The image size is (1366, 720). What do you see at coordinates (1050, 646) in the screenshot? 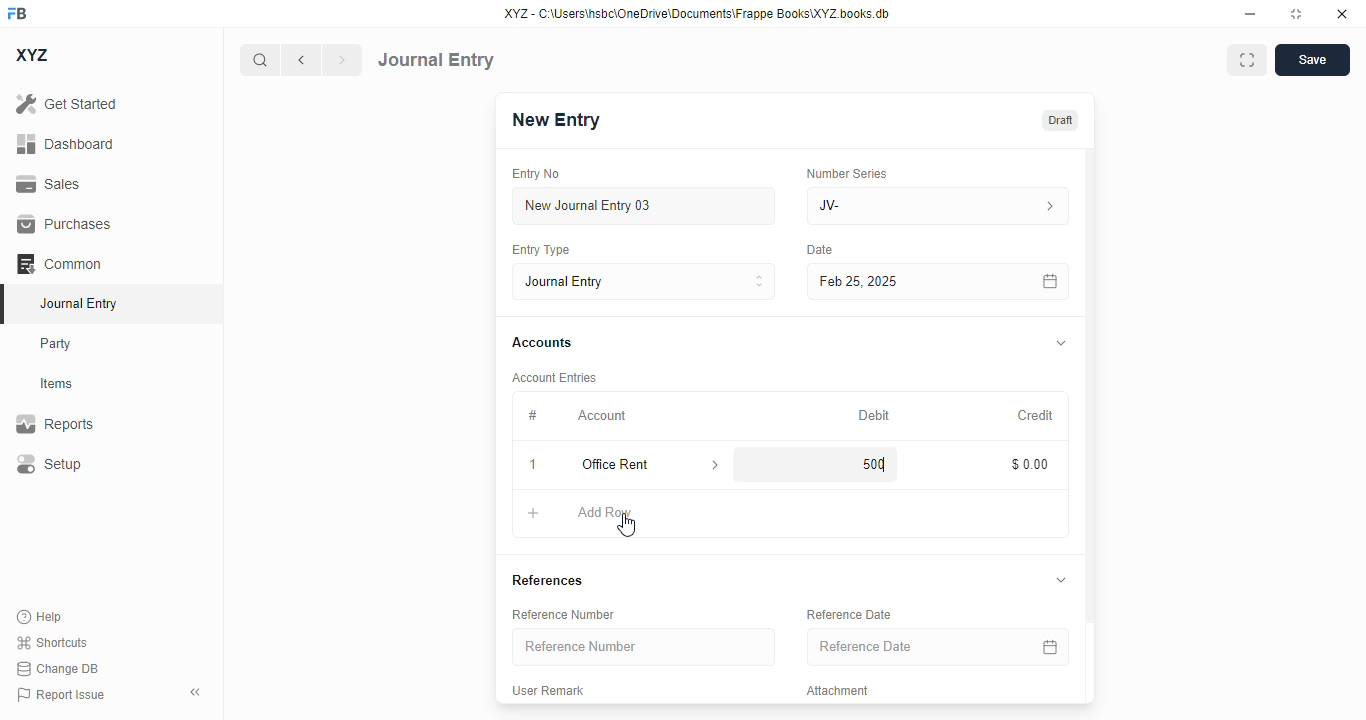
I see `calendar icon` at bounding box center [1050, 646].